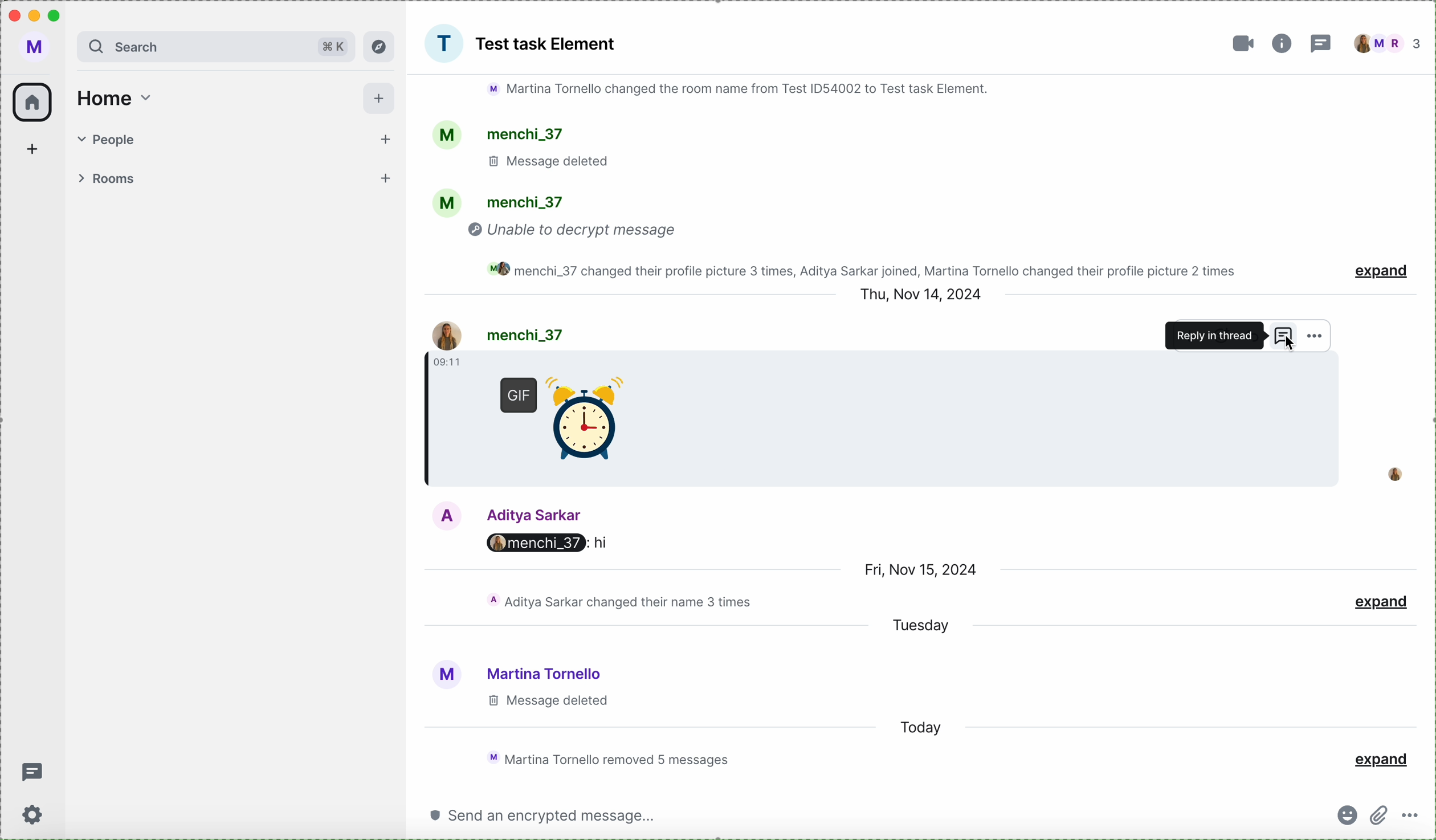 Image resolution: width=1436 pixels, height=840 pixels. Describe the element at coordinates (515, 671) in the screenshot. I see `user` at that location.